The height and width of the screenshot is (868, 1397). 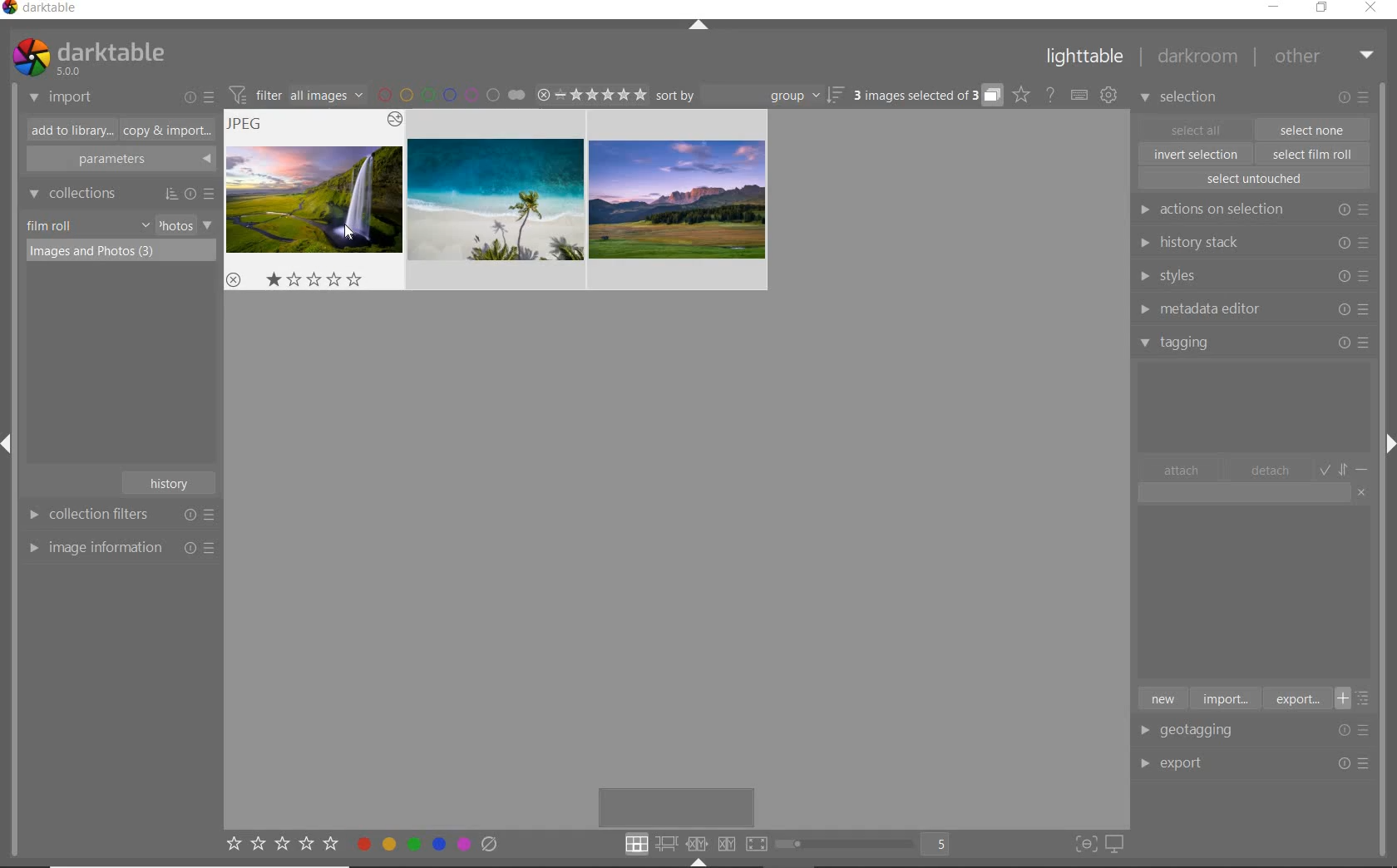 I want to click on darkroom, so click(x=1198, y=59).